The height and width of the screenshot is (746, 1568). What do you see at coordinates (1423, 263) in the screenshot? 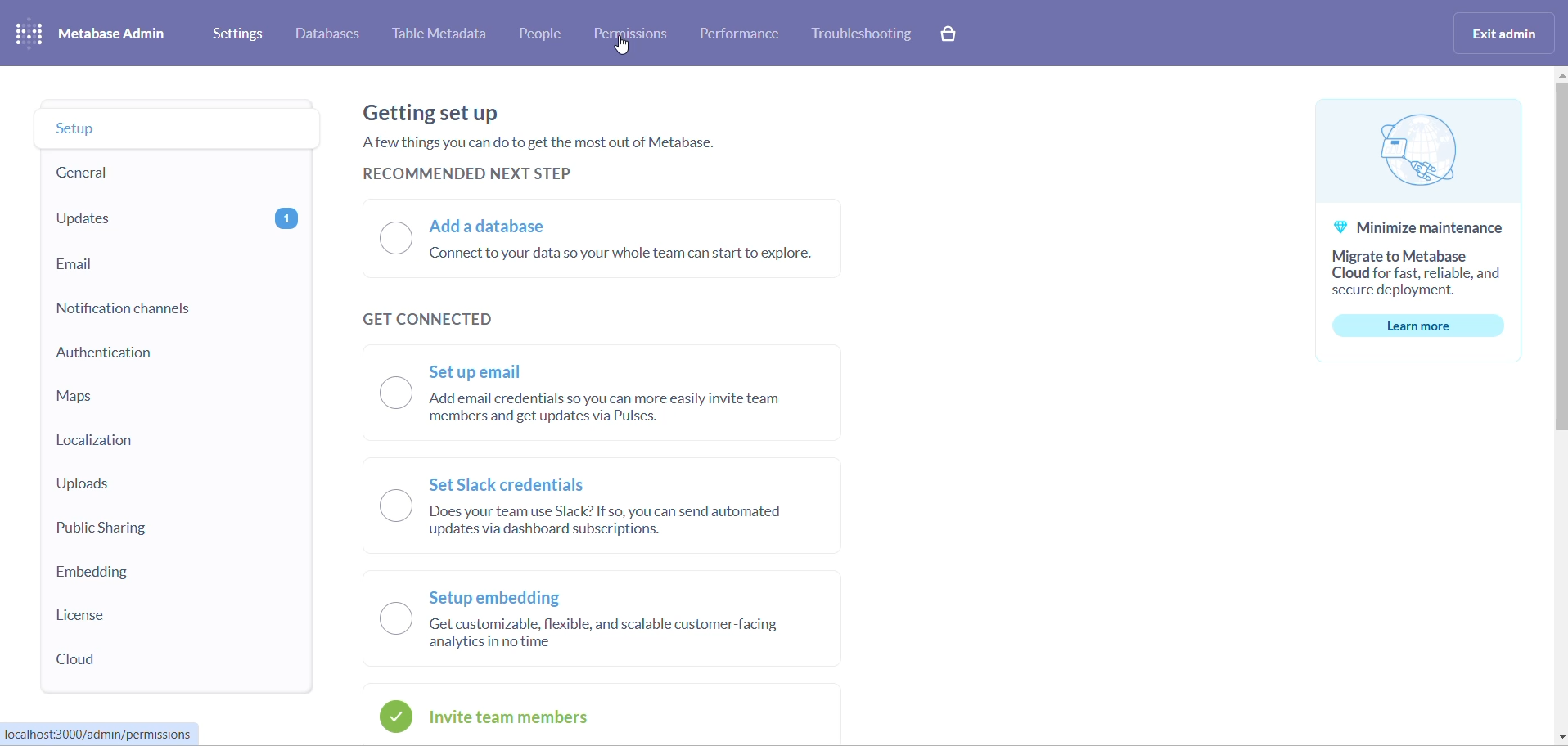
I see `text` at bounding box center [1423, 263].